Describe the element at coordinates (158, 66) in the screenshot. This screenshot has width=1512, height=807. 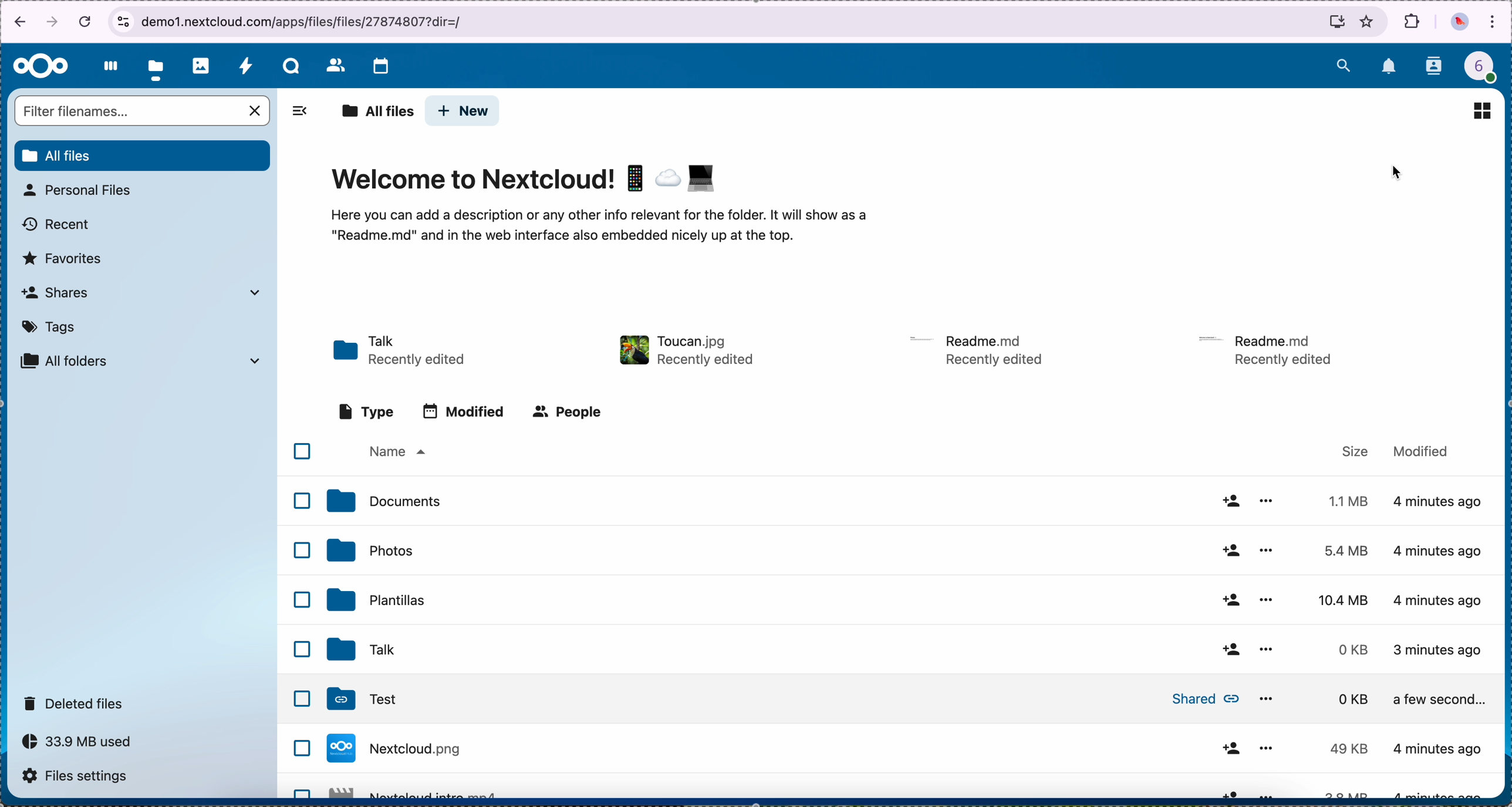
I see `click on files button` at that location.